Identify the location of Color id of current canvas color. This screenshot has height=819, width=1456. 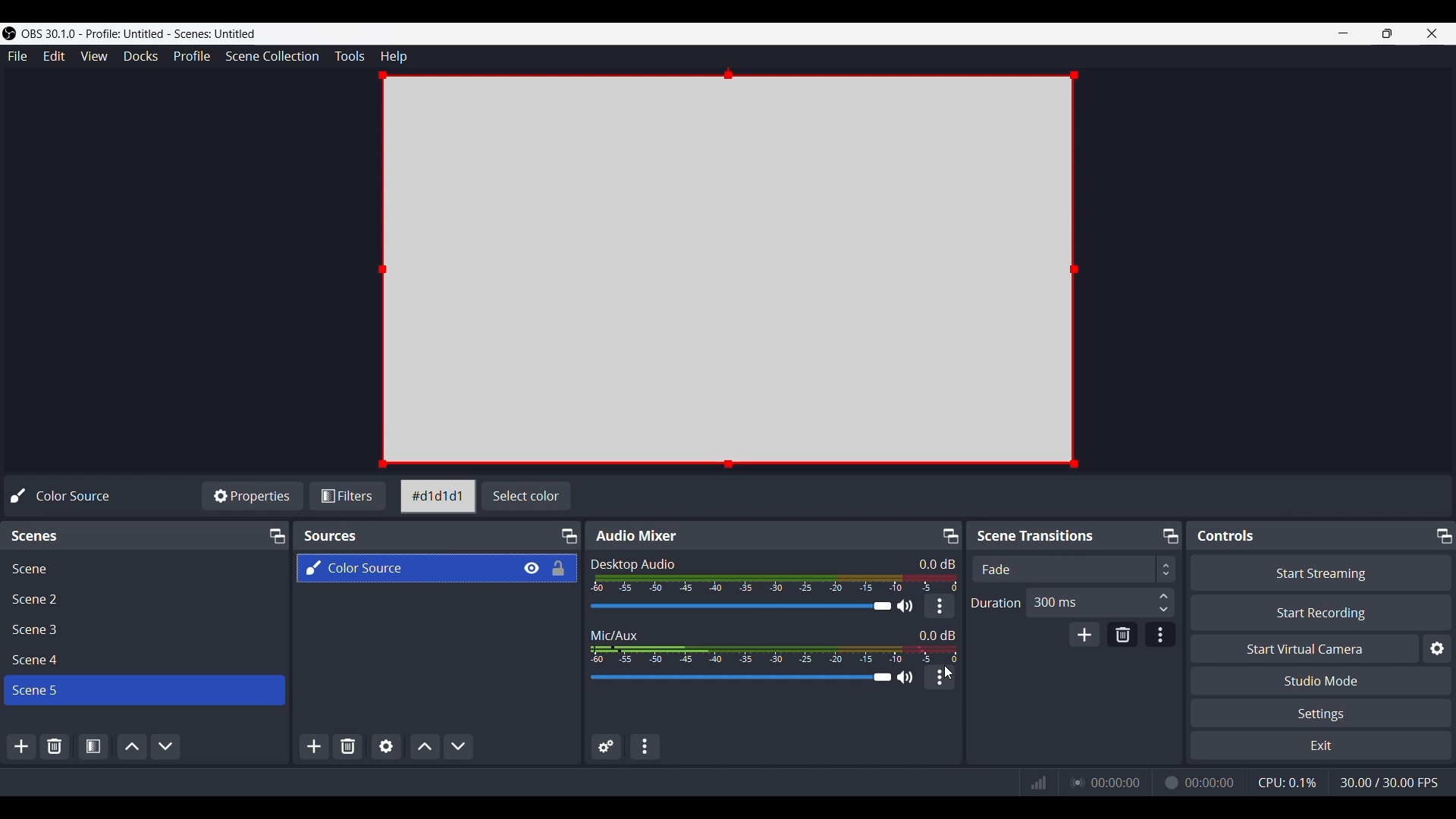
(438, 497).